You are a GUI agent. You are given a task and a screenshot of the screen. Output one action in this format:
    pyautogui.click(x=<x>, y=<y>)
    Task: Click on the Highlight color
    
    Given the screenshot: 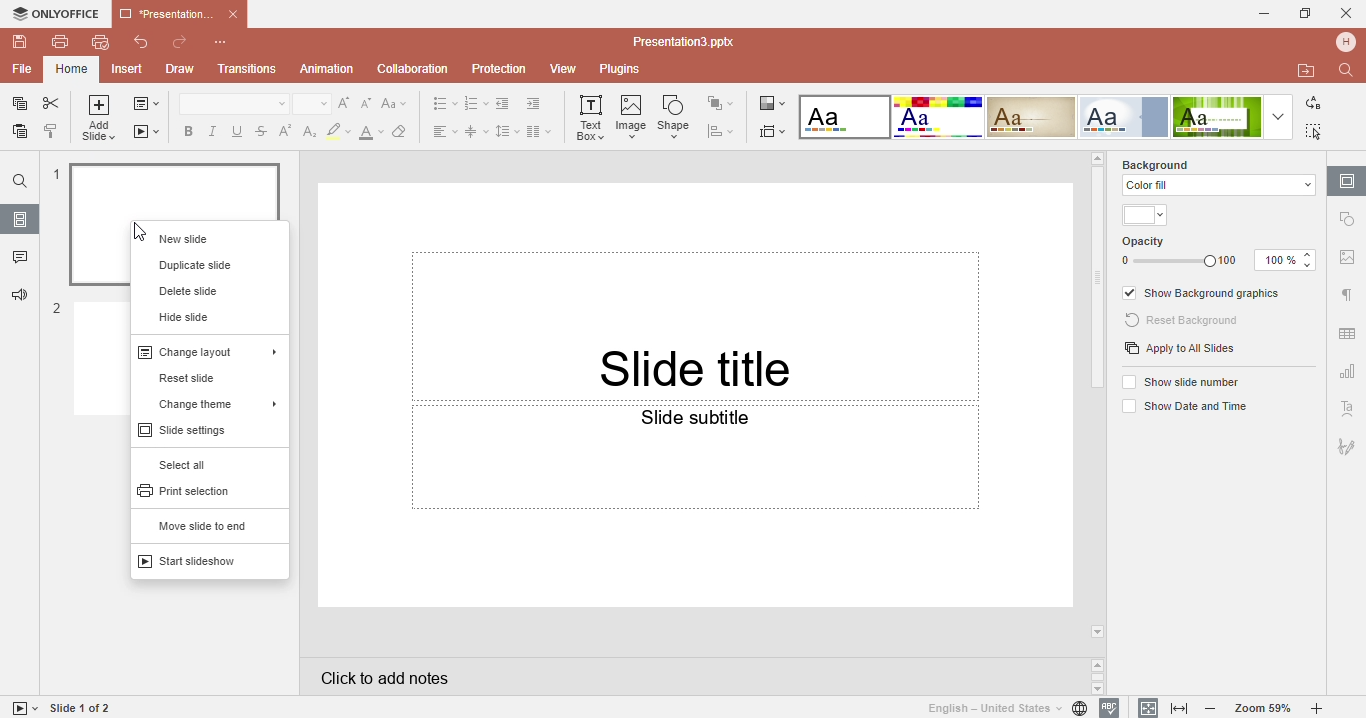 What is the action you would take?
    pyautogui.click(x=339, y=130)
    